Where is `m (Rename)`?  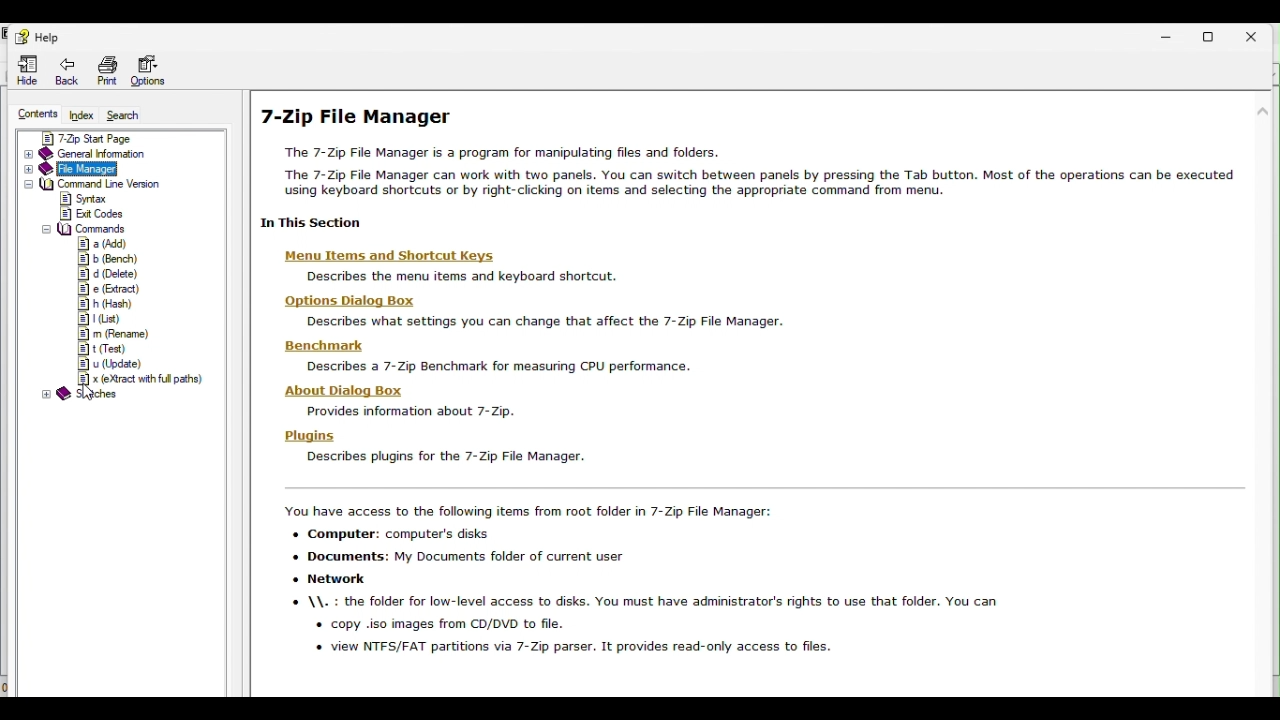
m (Rename) is located at coordinates (115, 333).